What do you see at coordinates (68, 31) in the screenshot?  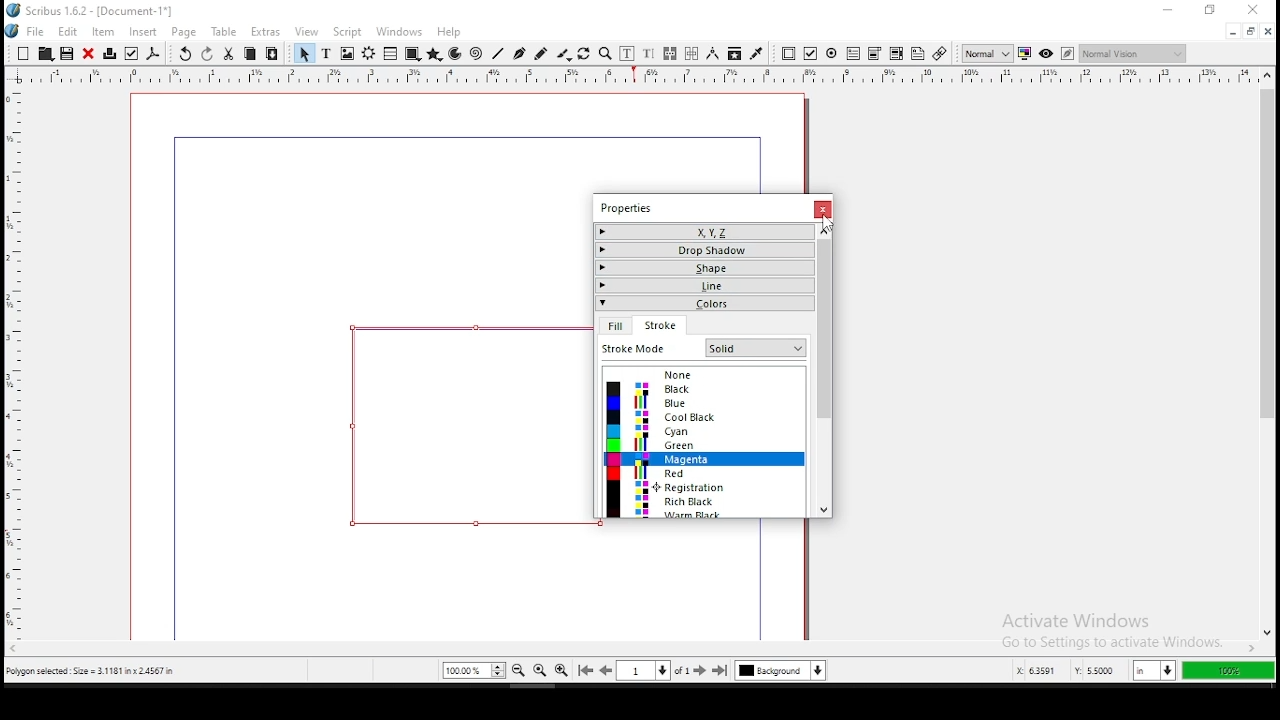 I see `edit` at bounding box center [68, 31].